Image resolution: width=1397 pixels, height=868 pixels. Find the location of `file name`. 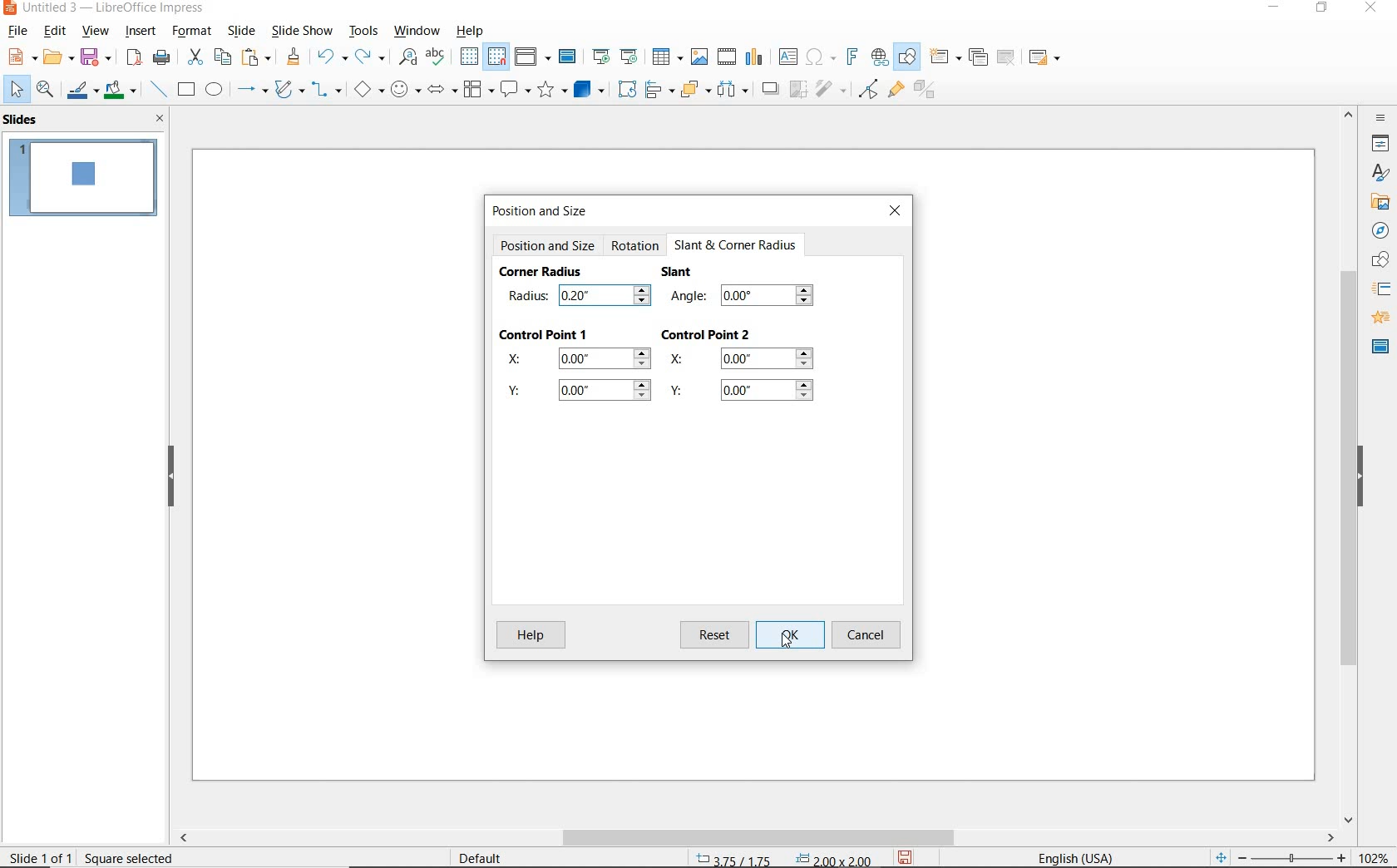

file name is located at coordinates (106, 9).